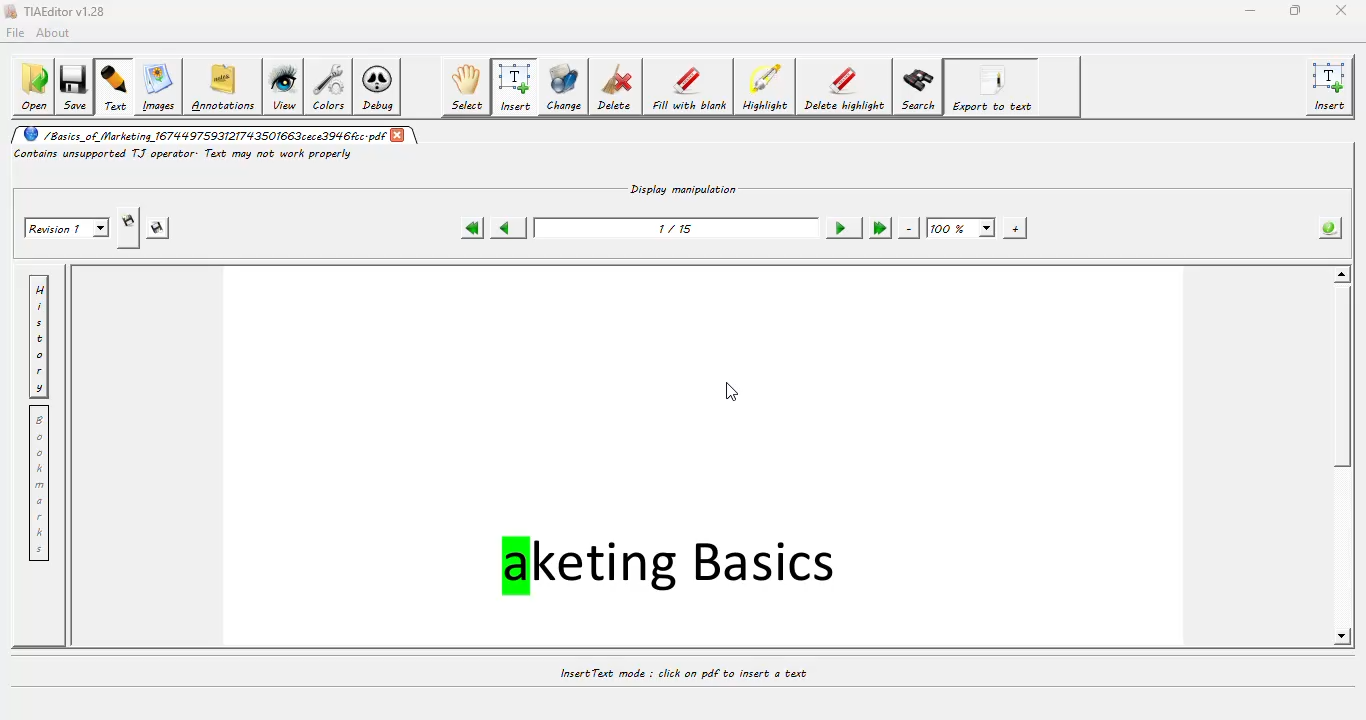 The image size is (1366, 720). Describe the element at coordinates (1346, 385) in the screenshot. I see `scroll bar` at that location.